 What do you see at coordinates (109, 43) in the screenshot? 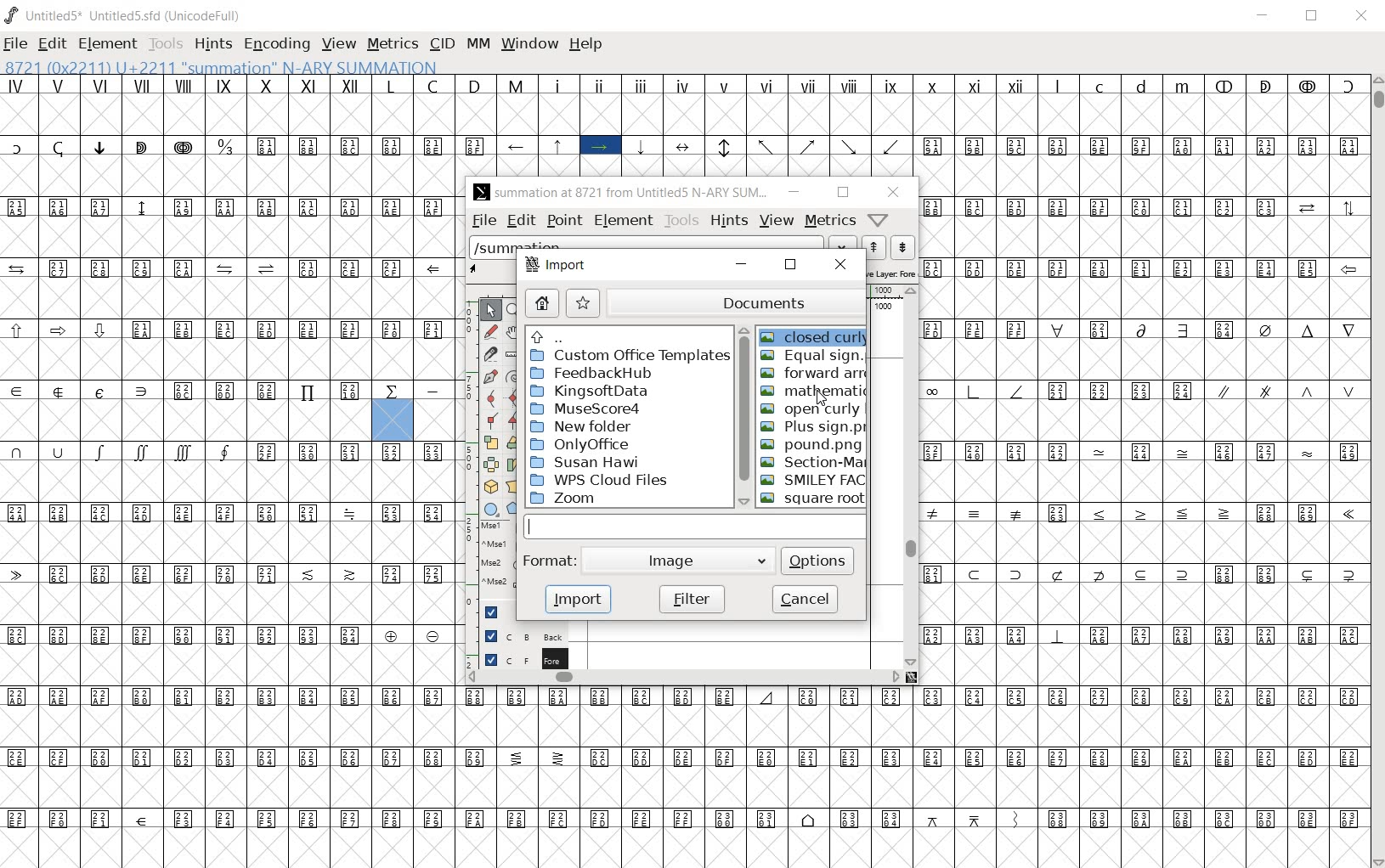
I see `ELEMENT` at bounding box center [109, 43].